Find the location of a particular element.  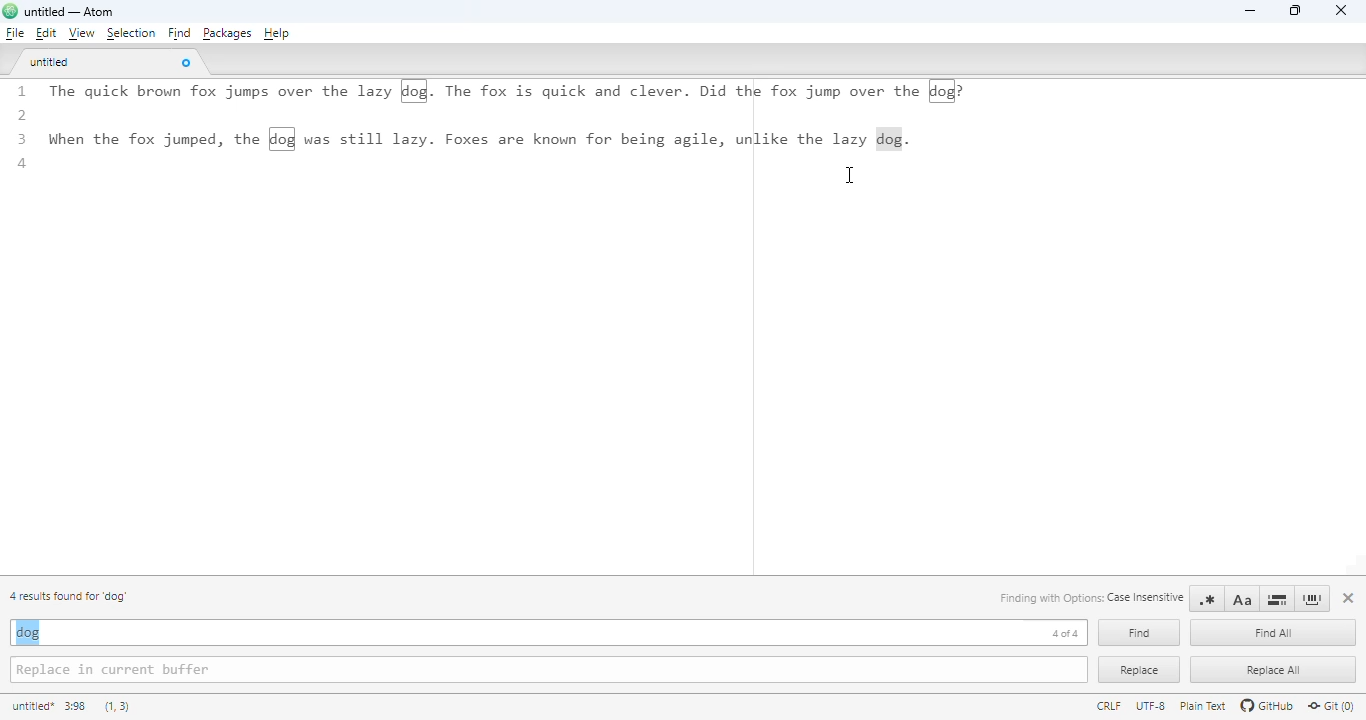

2 is located at coordinates (24, 116).